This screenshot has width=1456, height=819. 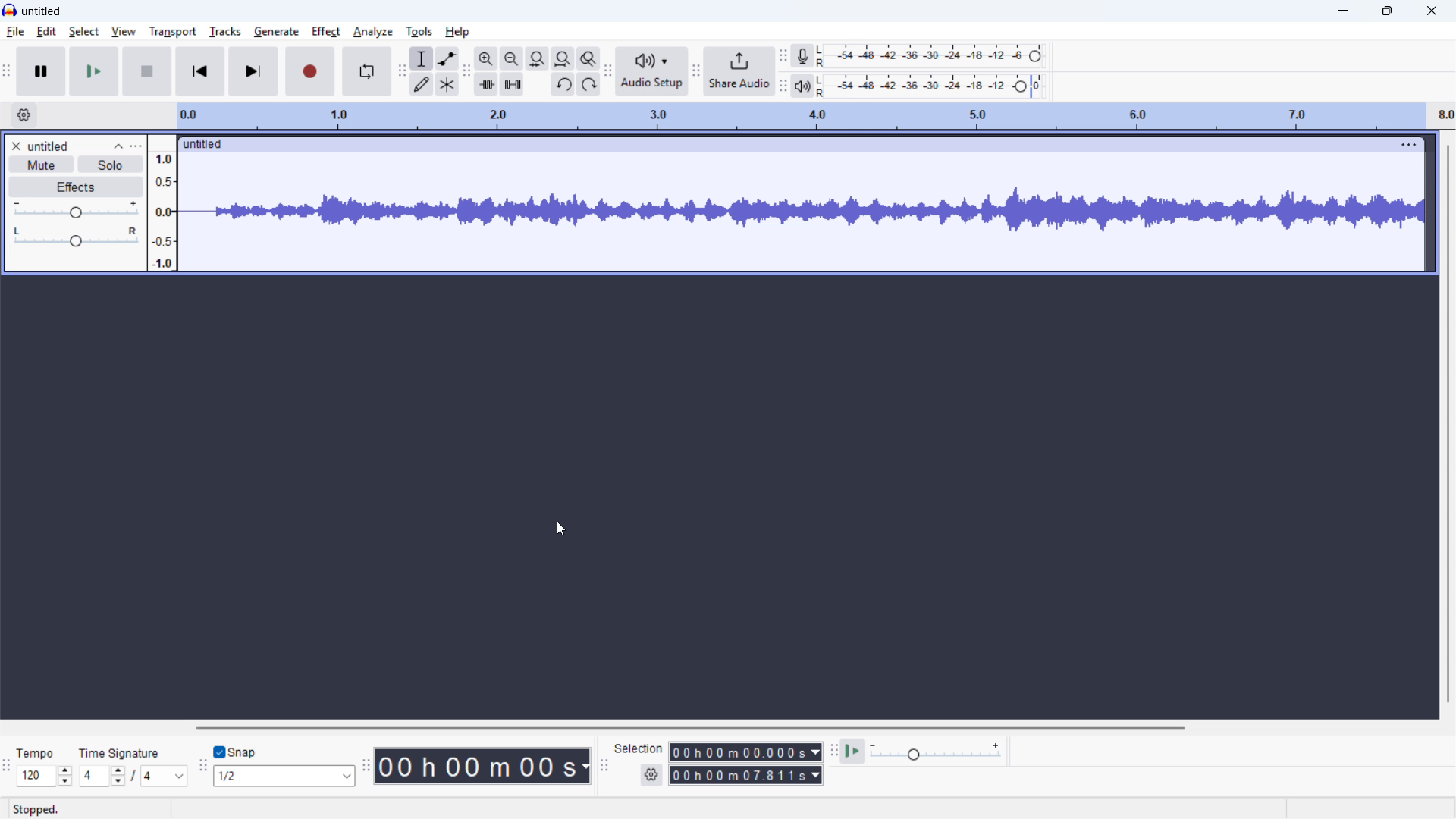 I want to click on pause, so click(x=42, y=71).